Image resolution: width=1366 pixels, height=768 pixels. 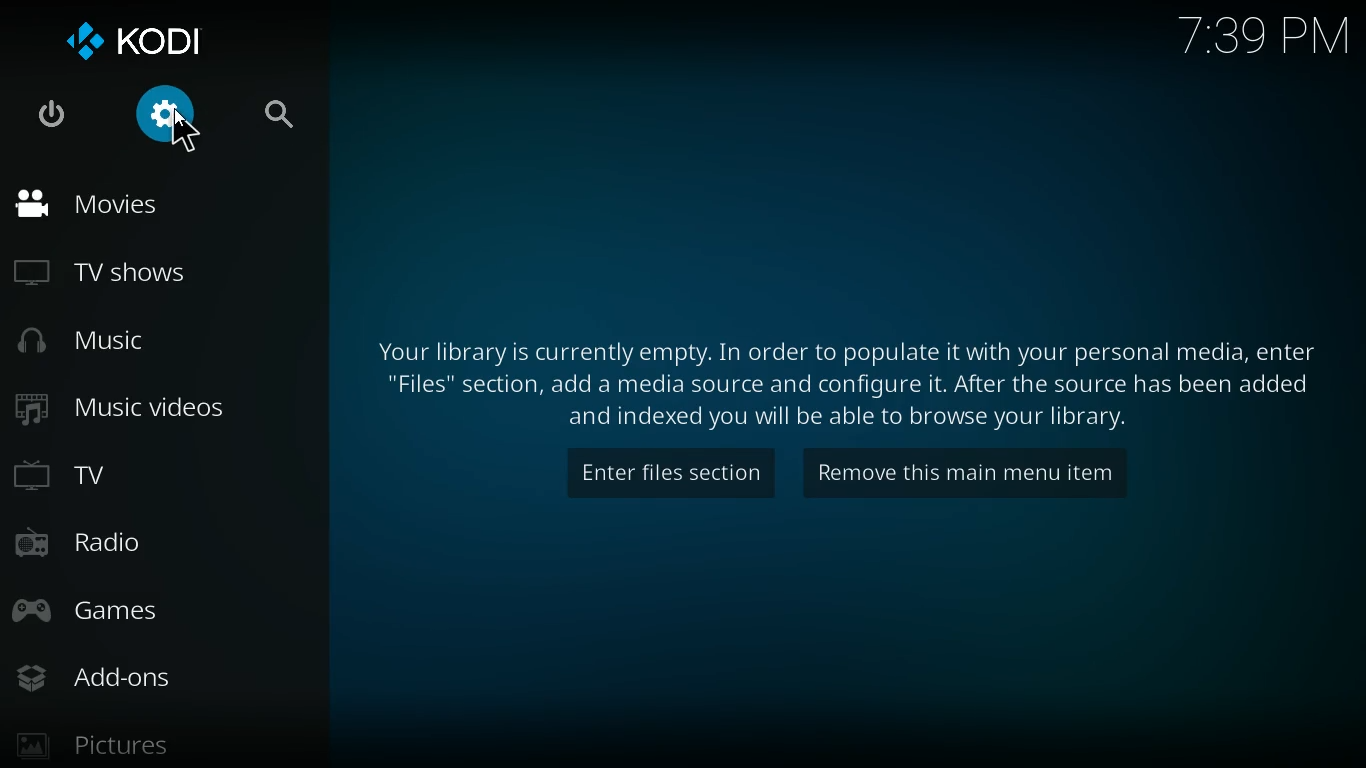 What do you see at coordinates (659, 475) in the screenshot?
I see `enter files section` at bounding box center [659, 475].